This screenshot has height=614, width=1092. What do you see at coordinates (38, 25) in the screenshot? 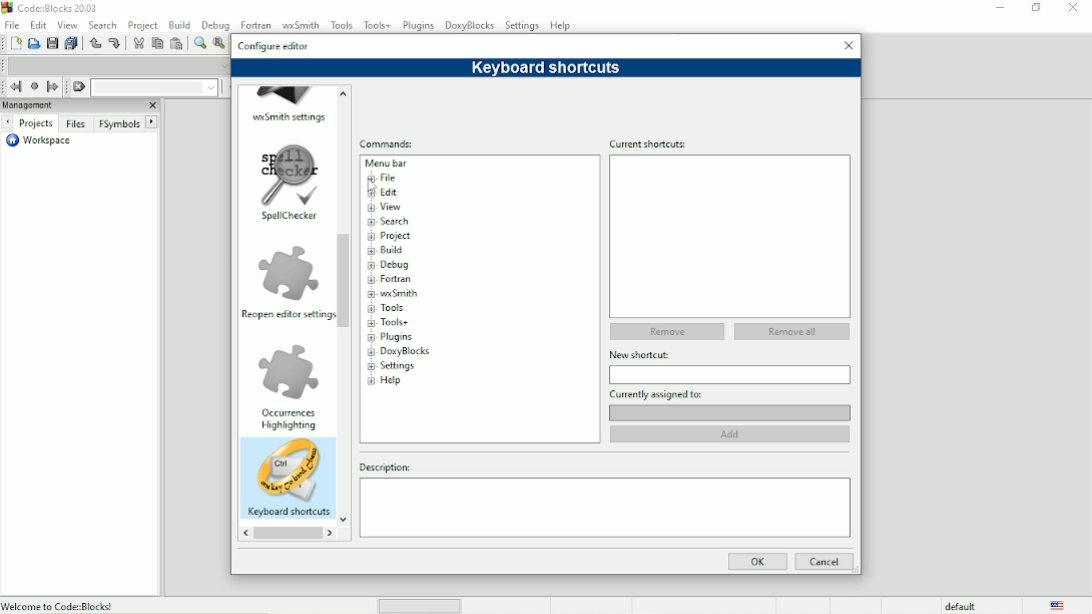
I see `Edit` at bounding box center [38, 25].